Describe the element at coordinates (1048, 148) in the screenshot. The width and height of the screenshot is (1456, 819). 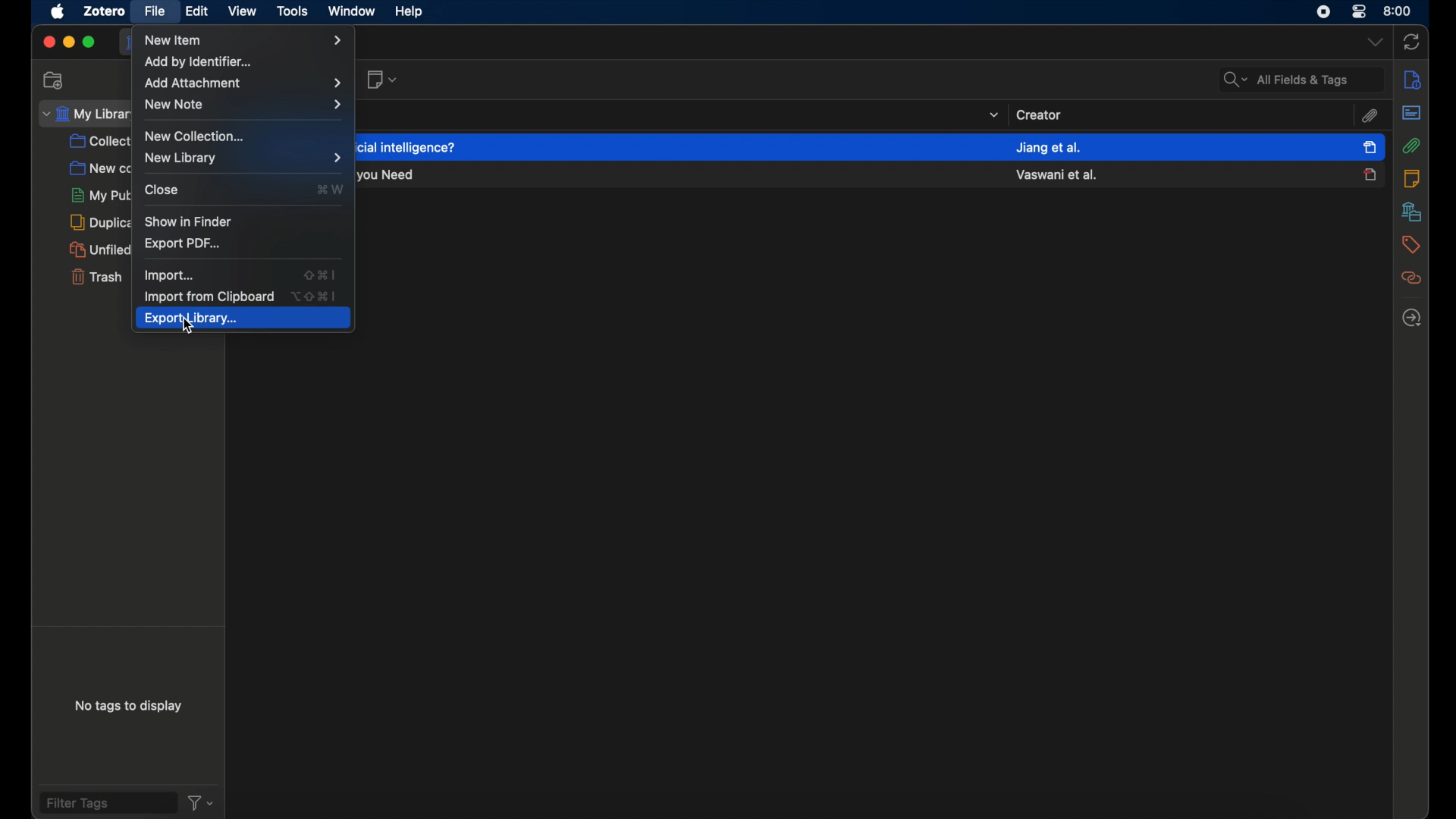
I see `creator name` at that location.